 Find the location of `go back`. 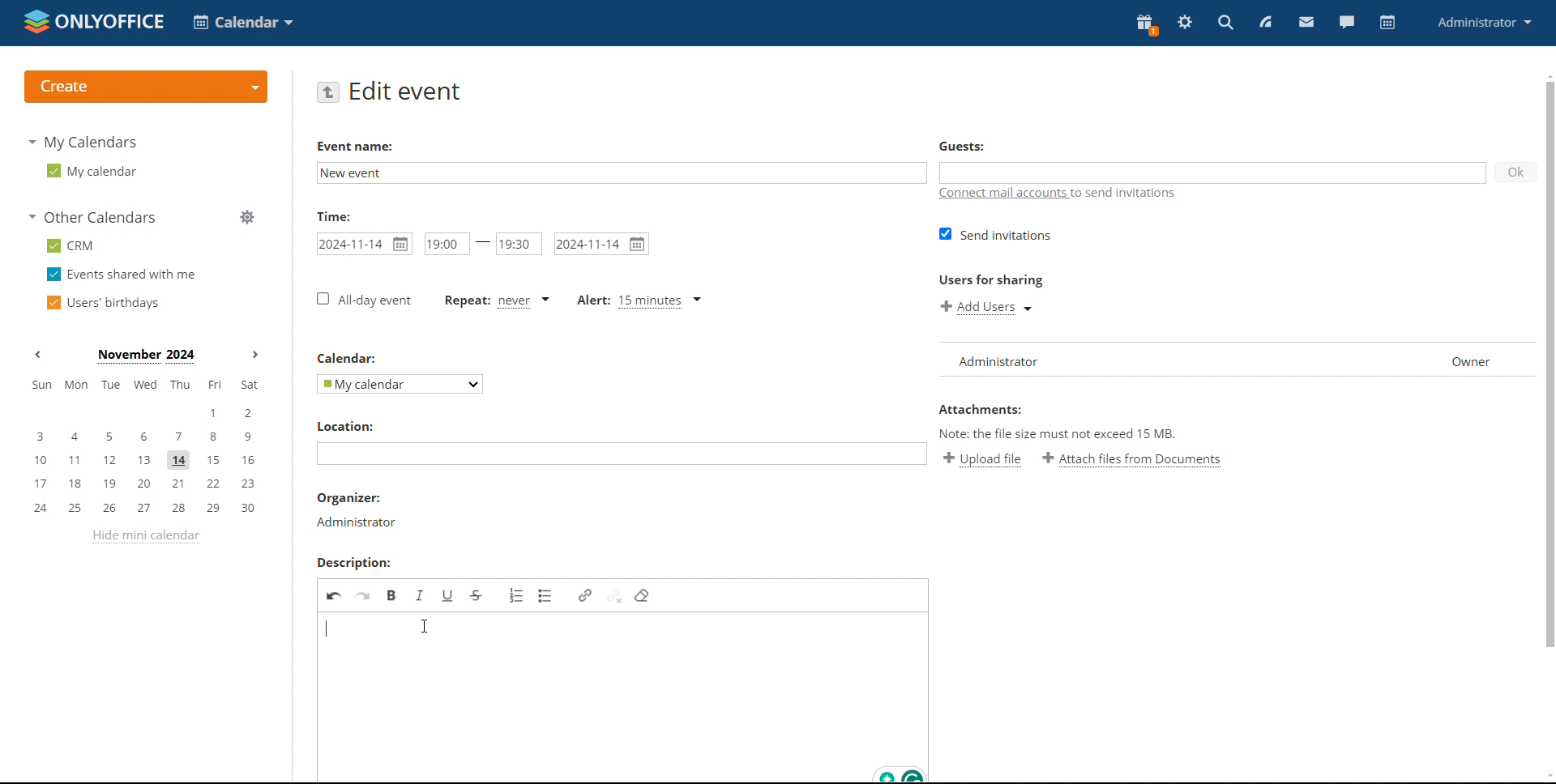

go back is located at coordinates (328, 92).